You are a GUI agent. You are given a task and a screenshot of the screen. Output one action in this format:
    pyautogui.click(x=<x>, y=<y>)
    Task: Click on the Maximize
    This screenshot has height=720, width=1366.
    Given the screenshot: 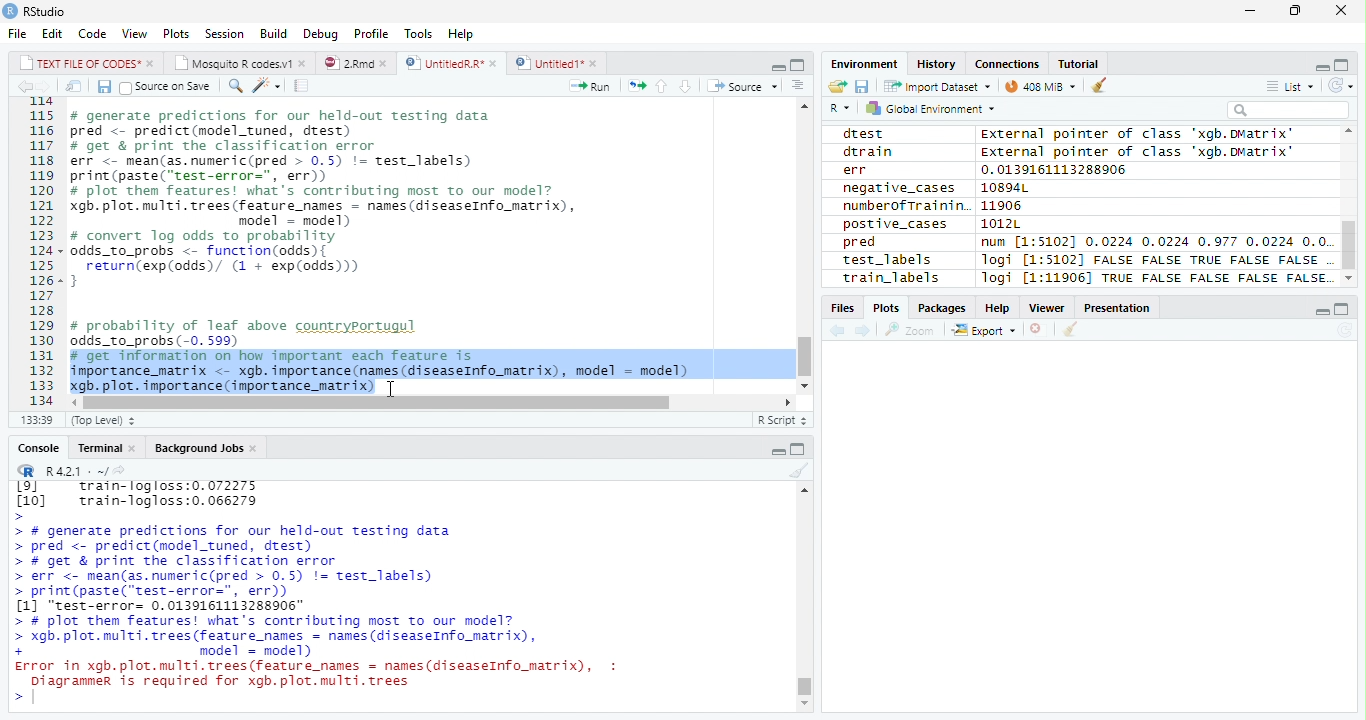 What is the action you would take?
    pyautogui.click(x=1345, y=63)
    